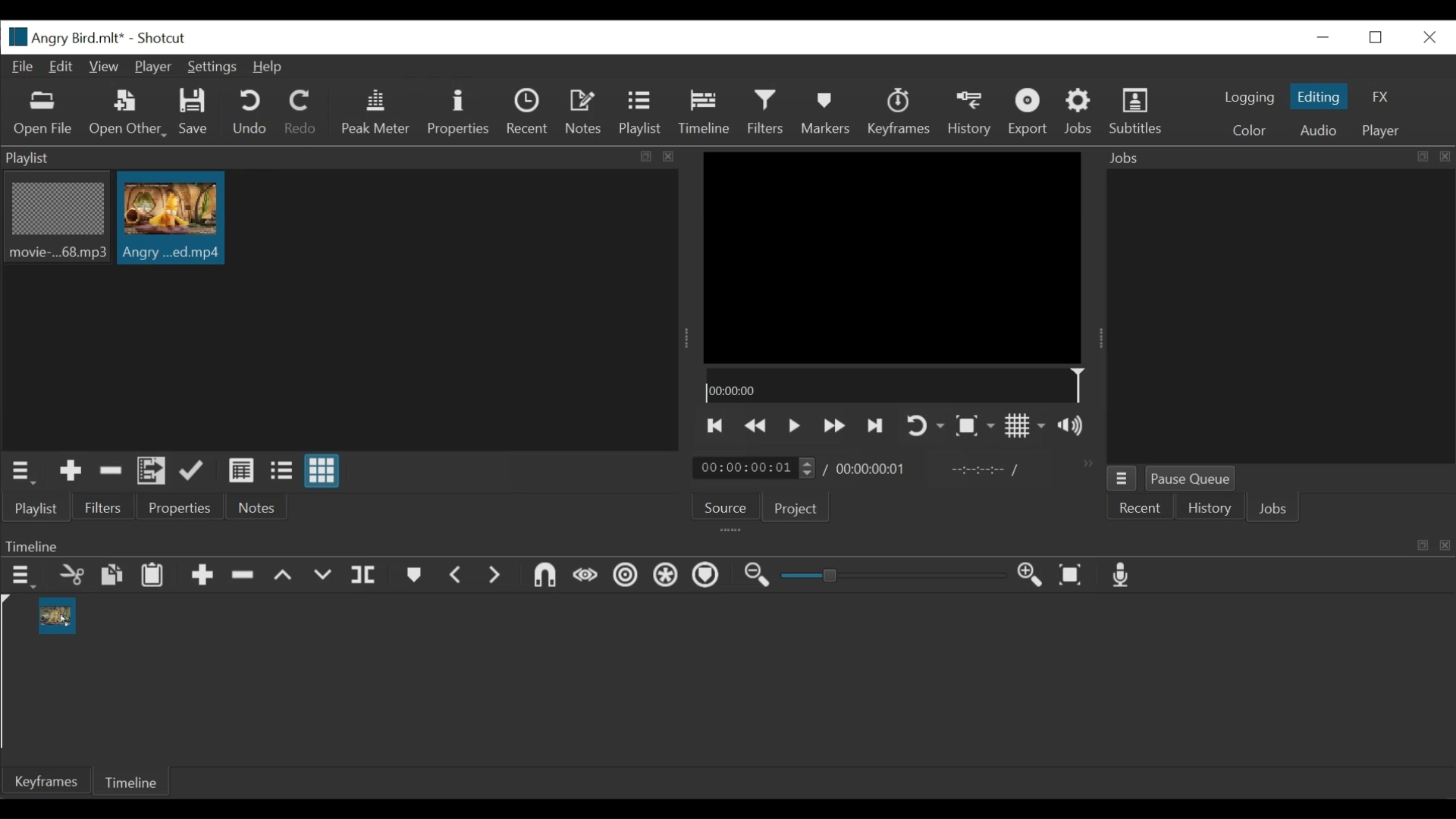 Image resolution: width=1456 pixels, height=819 pixels. I want to click on View as icons, so click(322, 471).